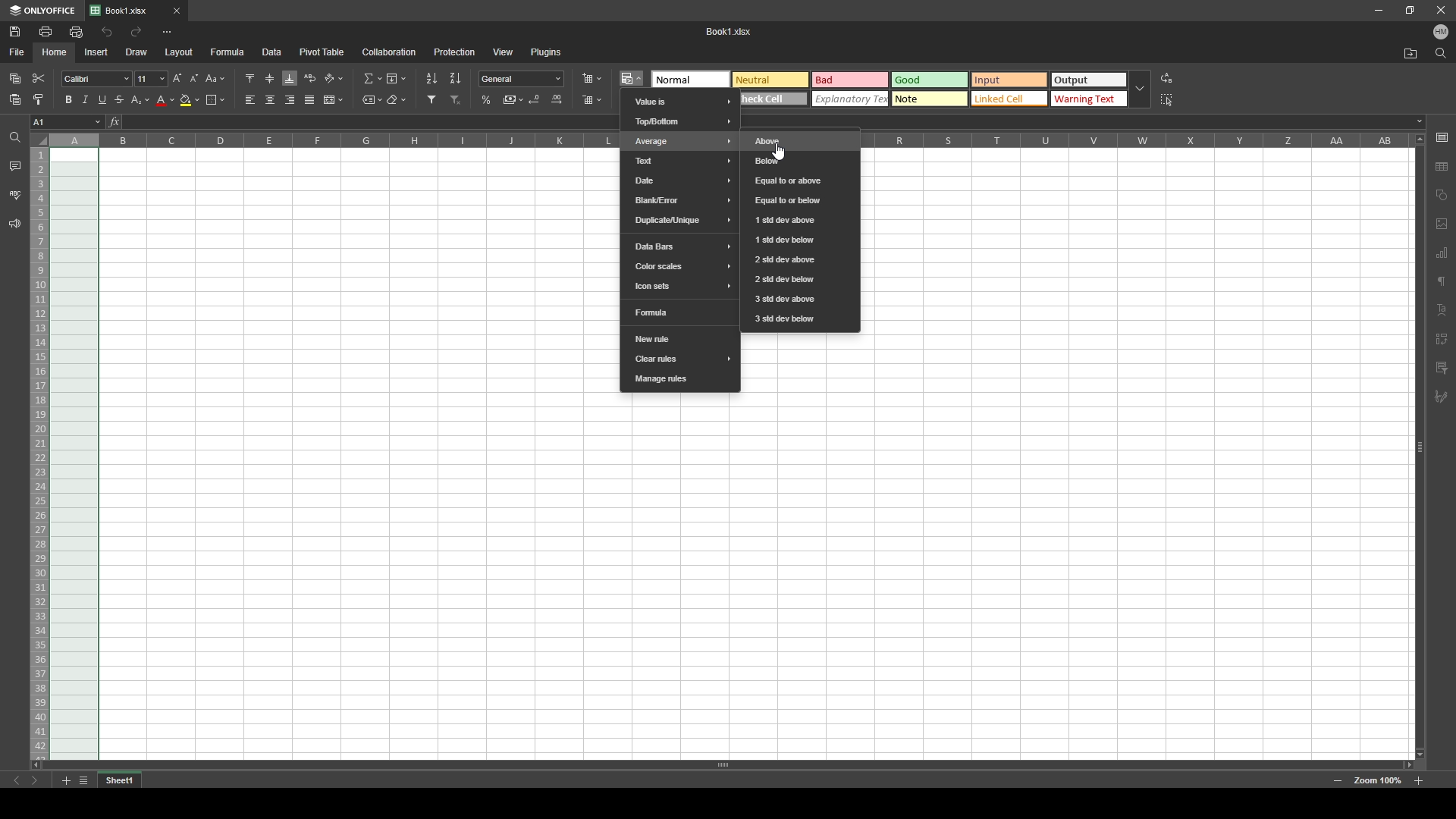 The width and height of the screenshot is (1456, 819). What do you see at coordinates (591, 100) in the screenshot?
I see `delete cells` at bounding box center [591, 100].